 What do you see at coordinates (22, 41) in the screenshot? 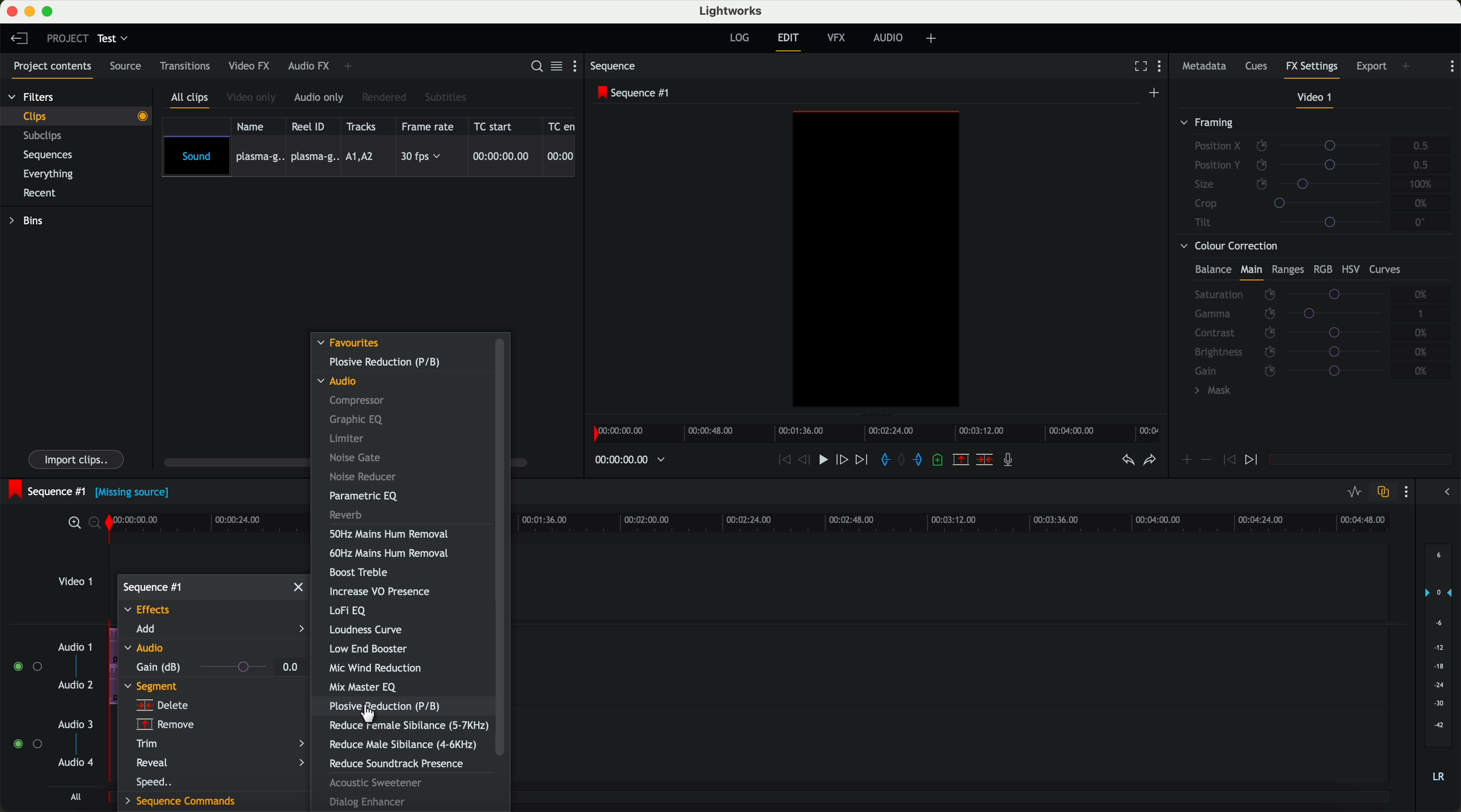
I see `leave` at bounding box center [22, 41].